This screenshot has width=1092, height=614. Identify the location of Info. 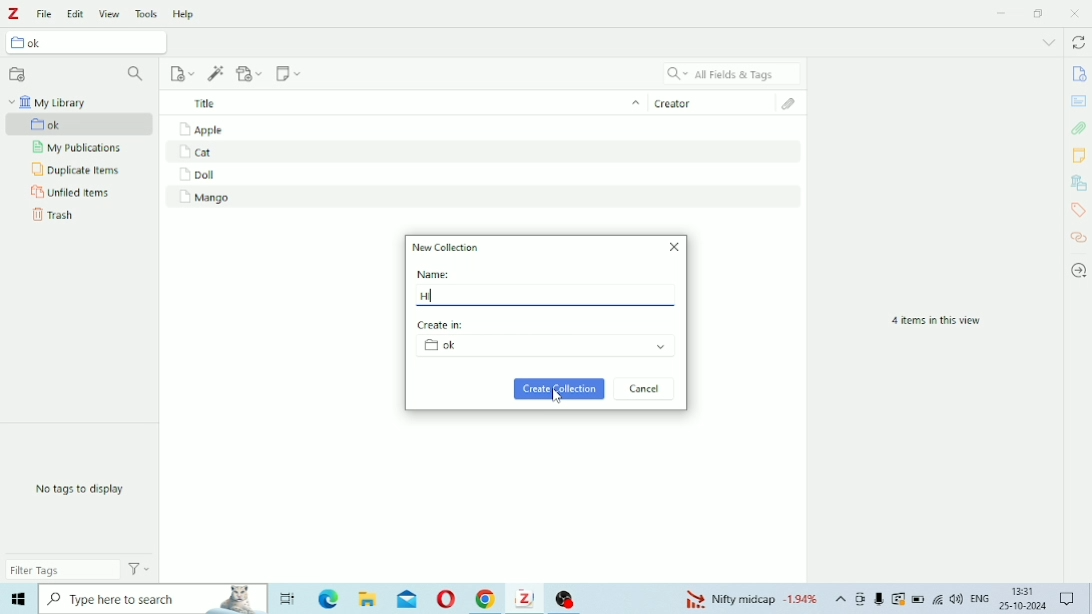
(1078, 74).